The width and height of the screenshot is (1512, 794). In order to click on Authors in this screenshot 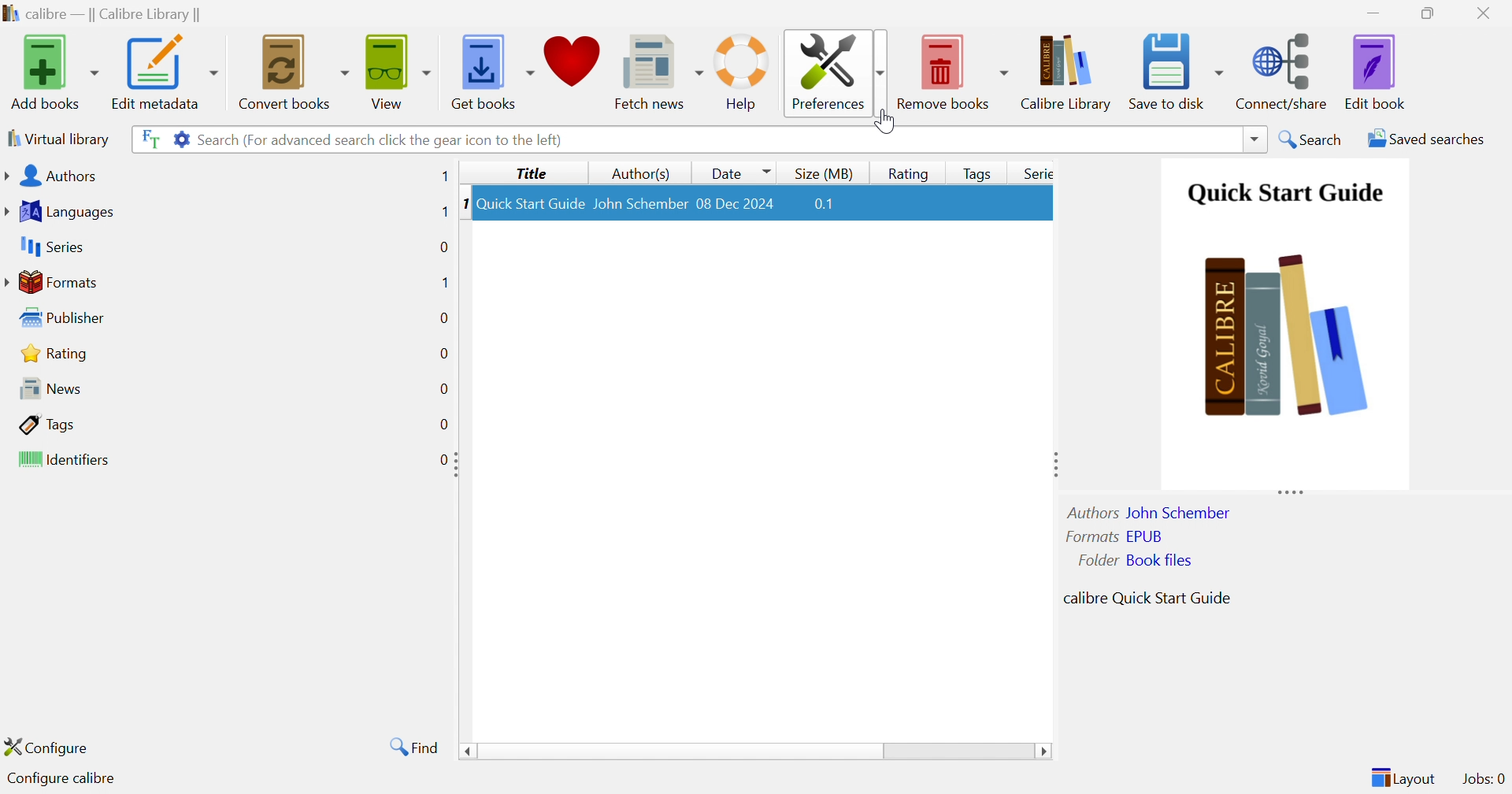, I will do `click(54, 177)`.